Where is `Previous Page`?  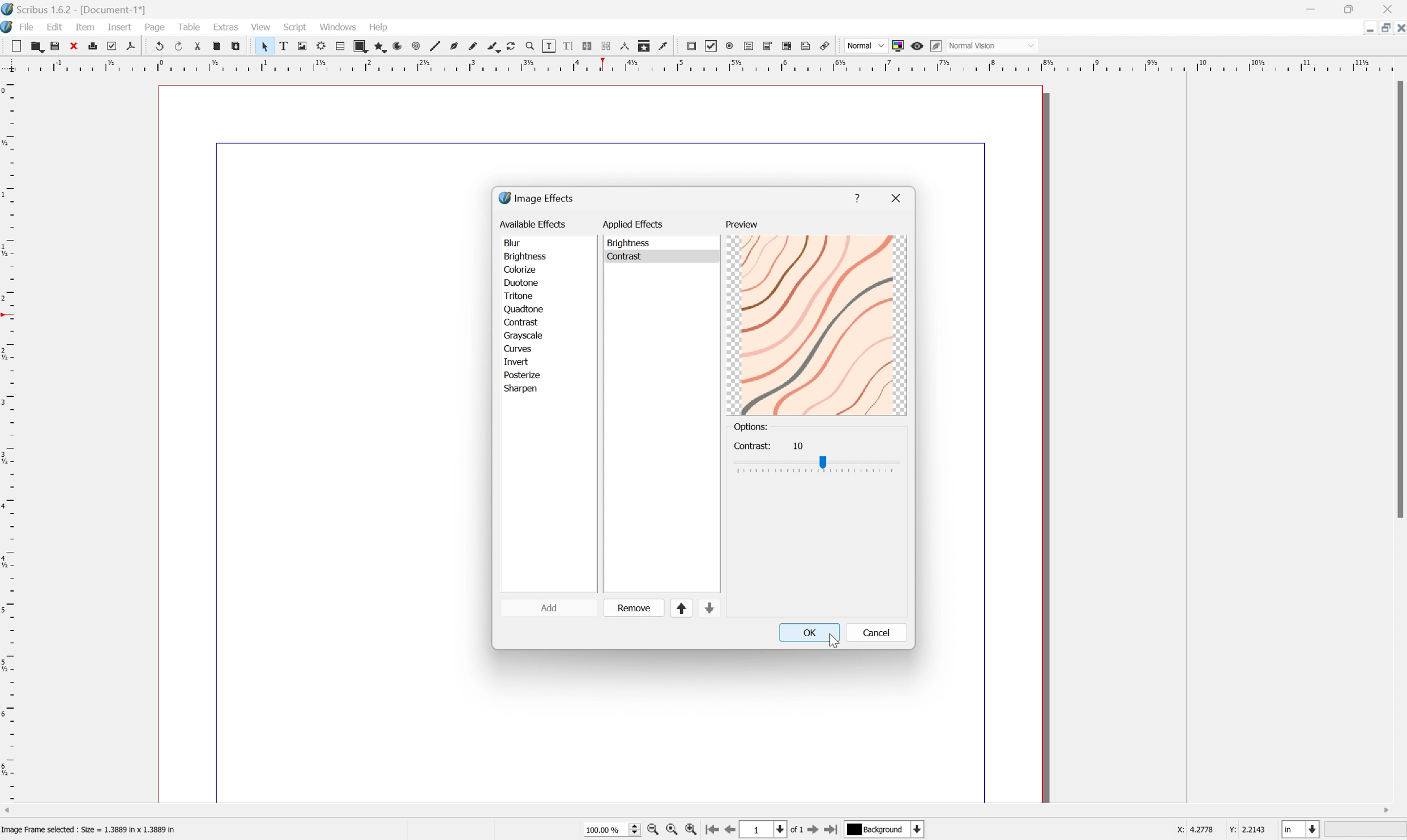
Previous Page is located at coordinates (733, 830).